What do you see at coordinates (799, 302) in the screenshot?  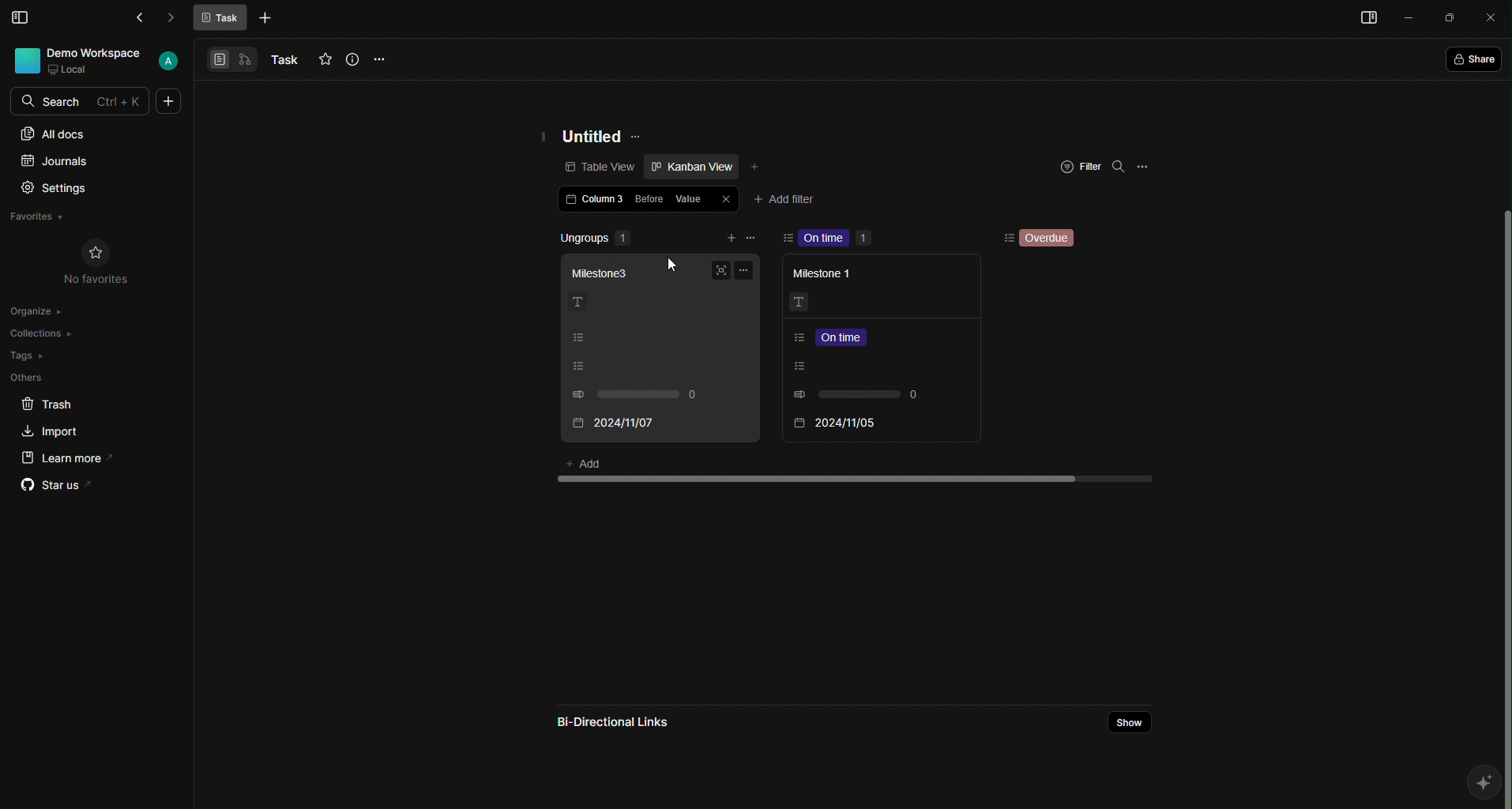 I see `Text` at bounding box center [799, 302].